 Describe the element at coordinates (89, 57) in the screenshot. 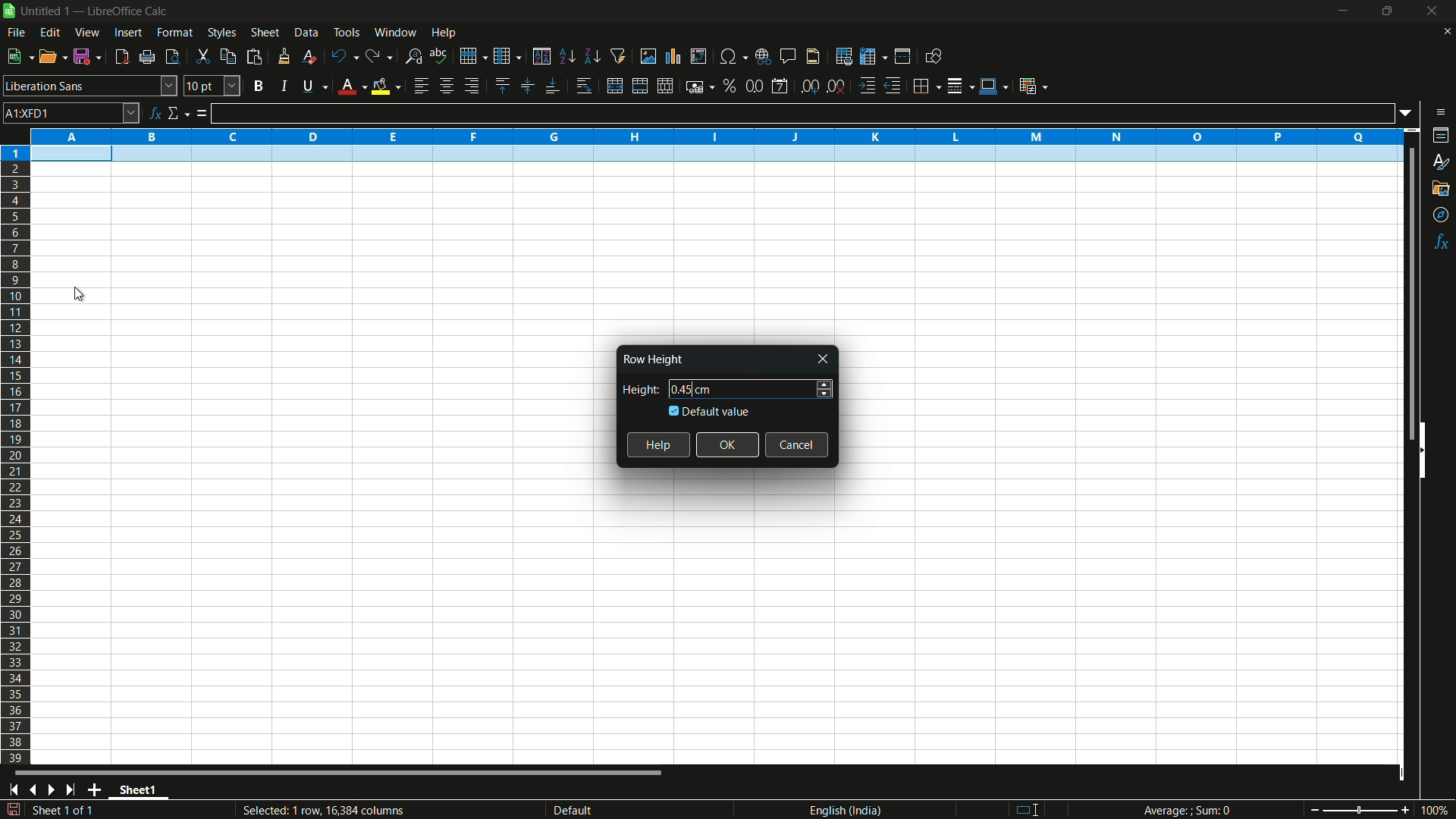

I see `save` at that location.